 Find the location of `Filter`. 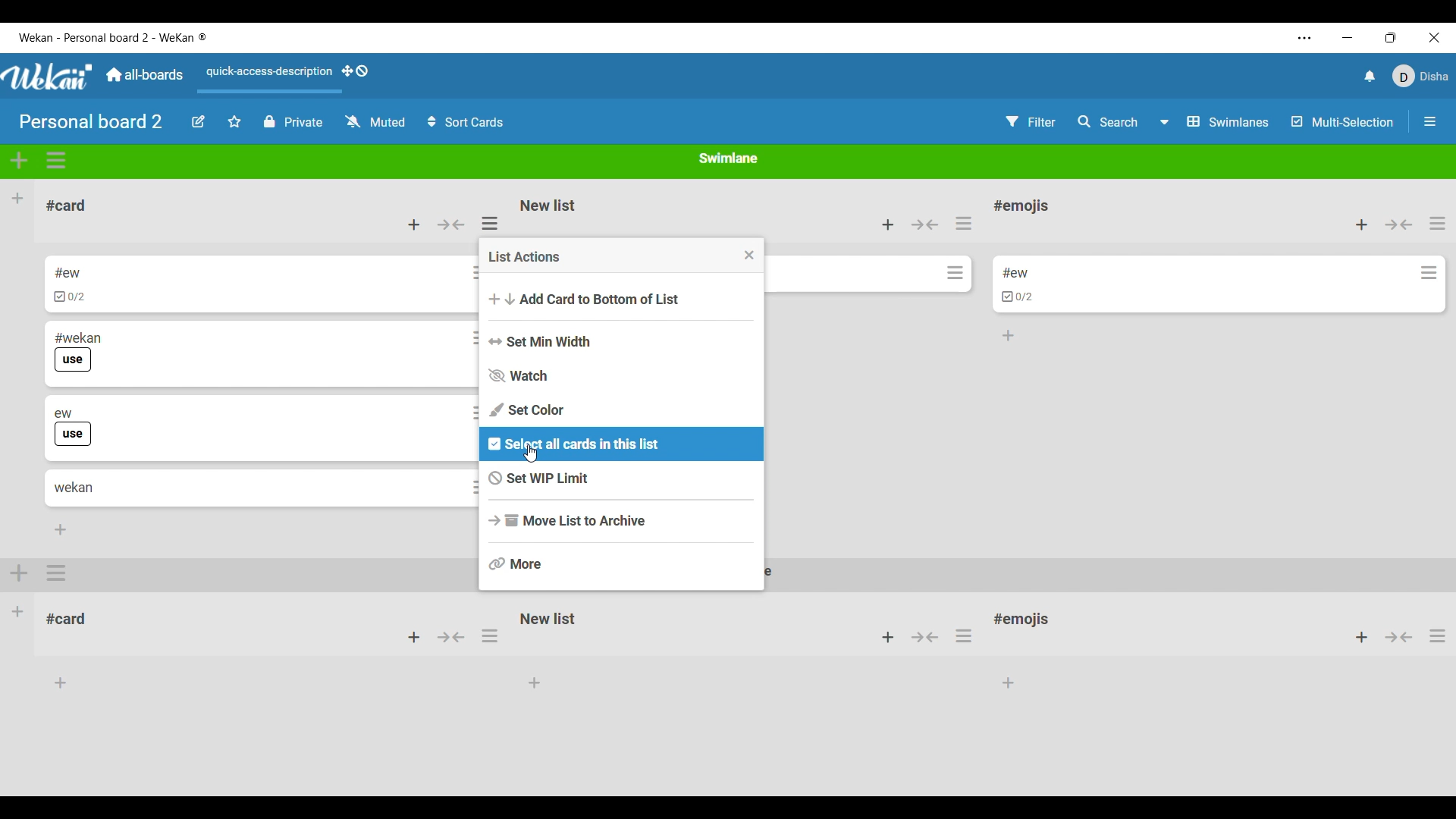

Filter is located at coordinates (1031, 122).